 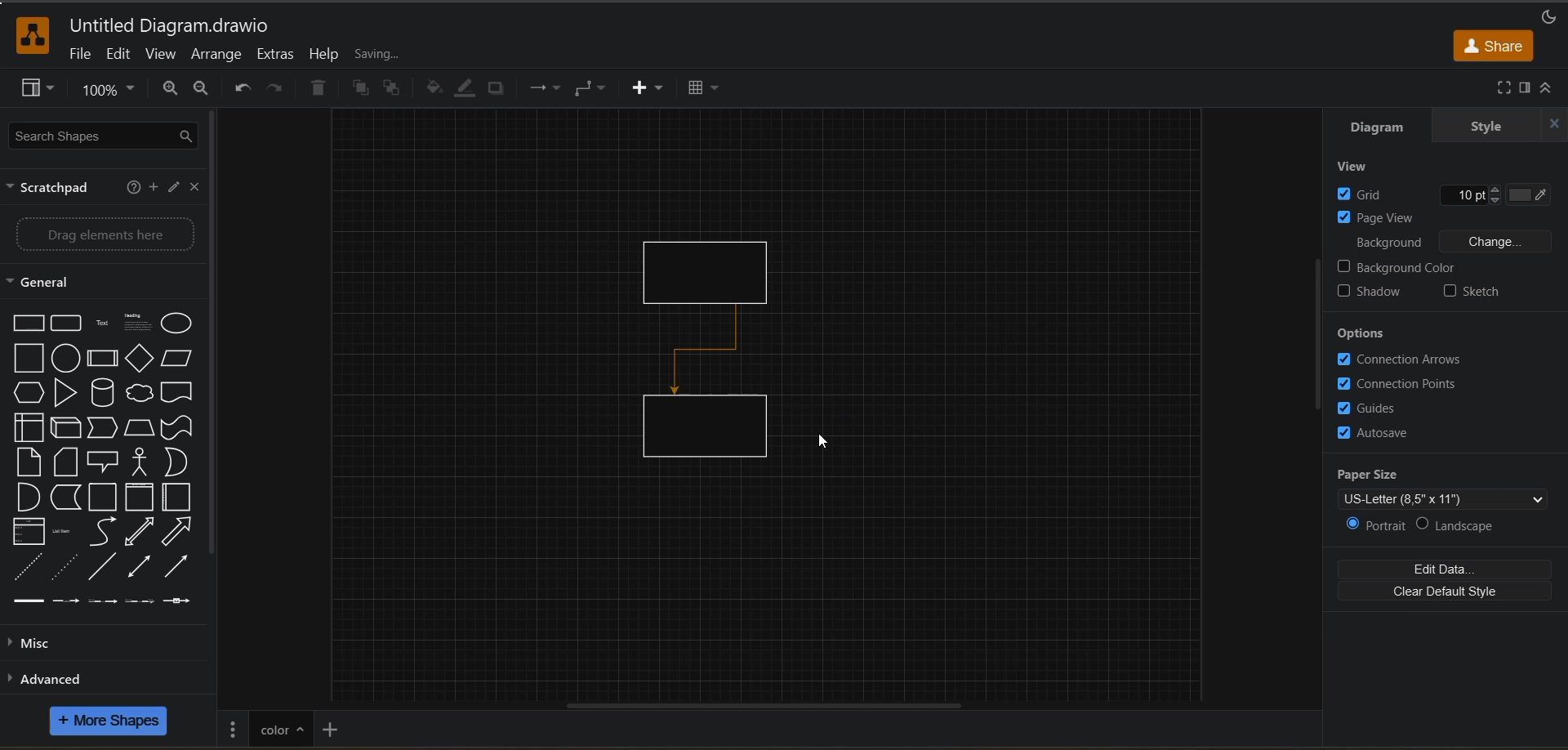 I want to click on Text, so click(x=105, y=323).